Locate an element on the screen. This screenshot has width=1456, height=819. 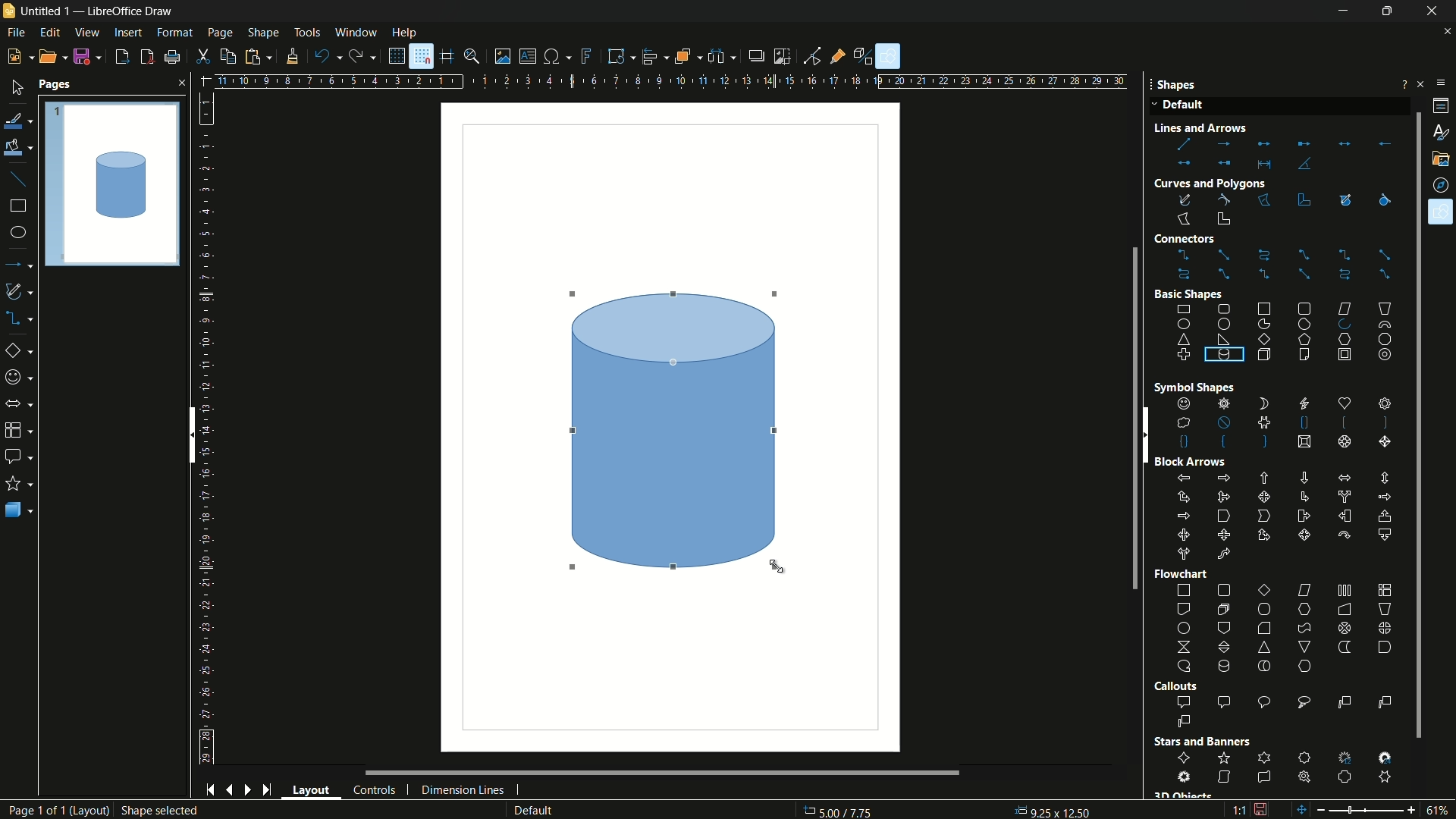
Pages is located at coordinates (112, 182).